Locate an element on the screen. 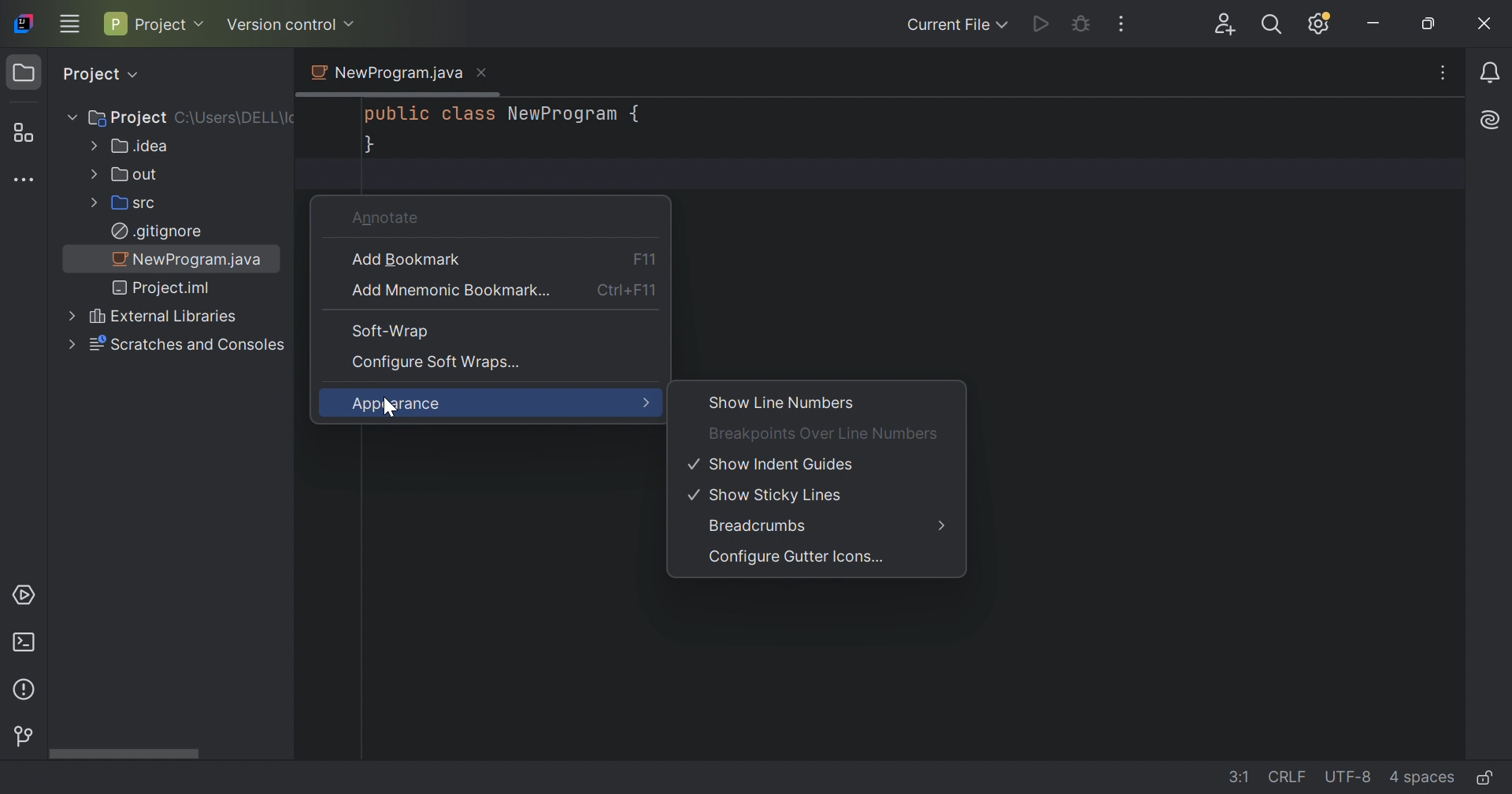 The width and height of the screenshot is (1512, 794). Breakpoints Over Line Numbers is located at coordinates (824, 433).